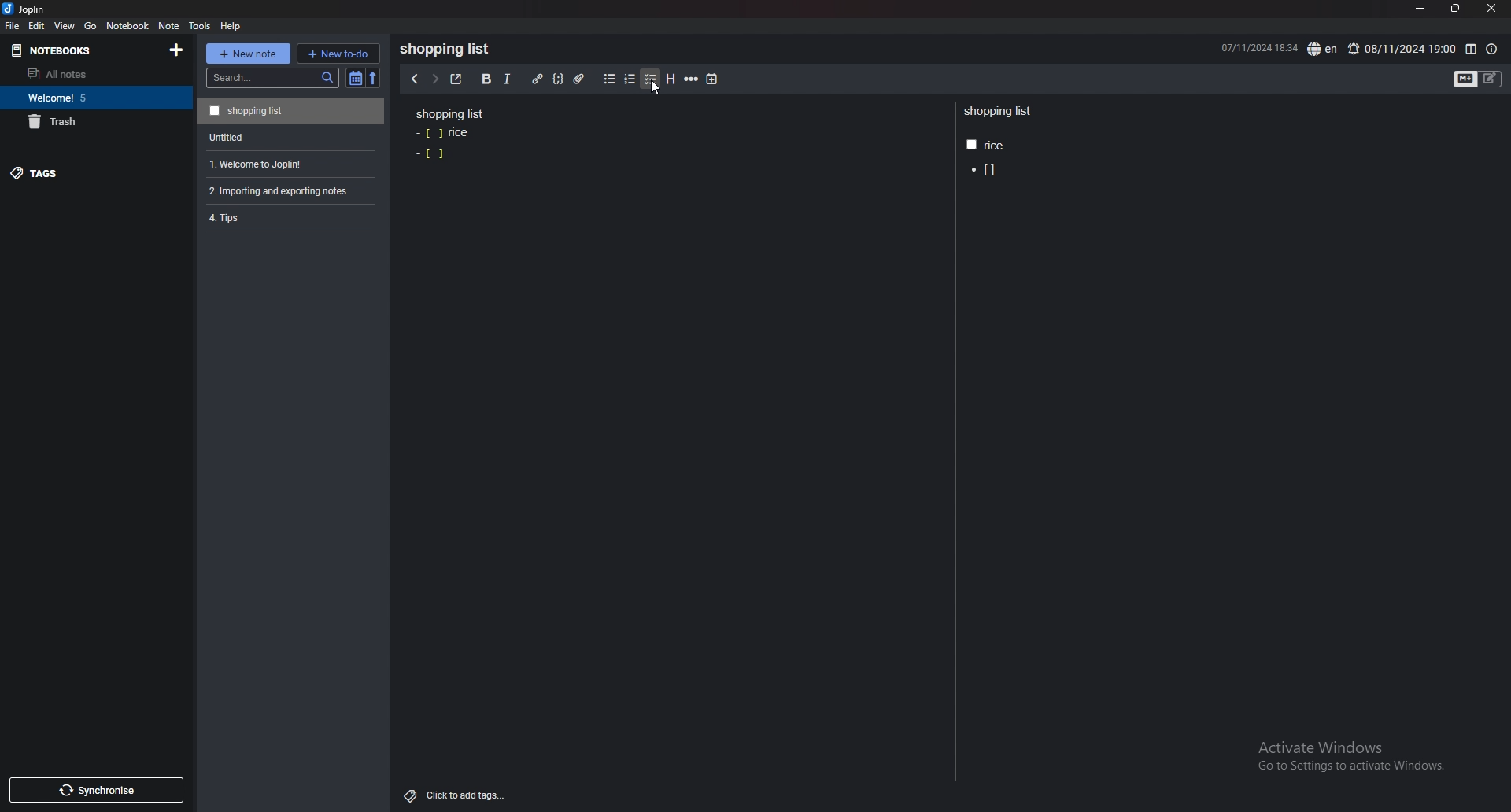 Image resolution: width=1511 pixels, height=812 pixels. Describe the element at coordinates (651, 79) in the screenshot. I see `checkbox` at that location.